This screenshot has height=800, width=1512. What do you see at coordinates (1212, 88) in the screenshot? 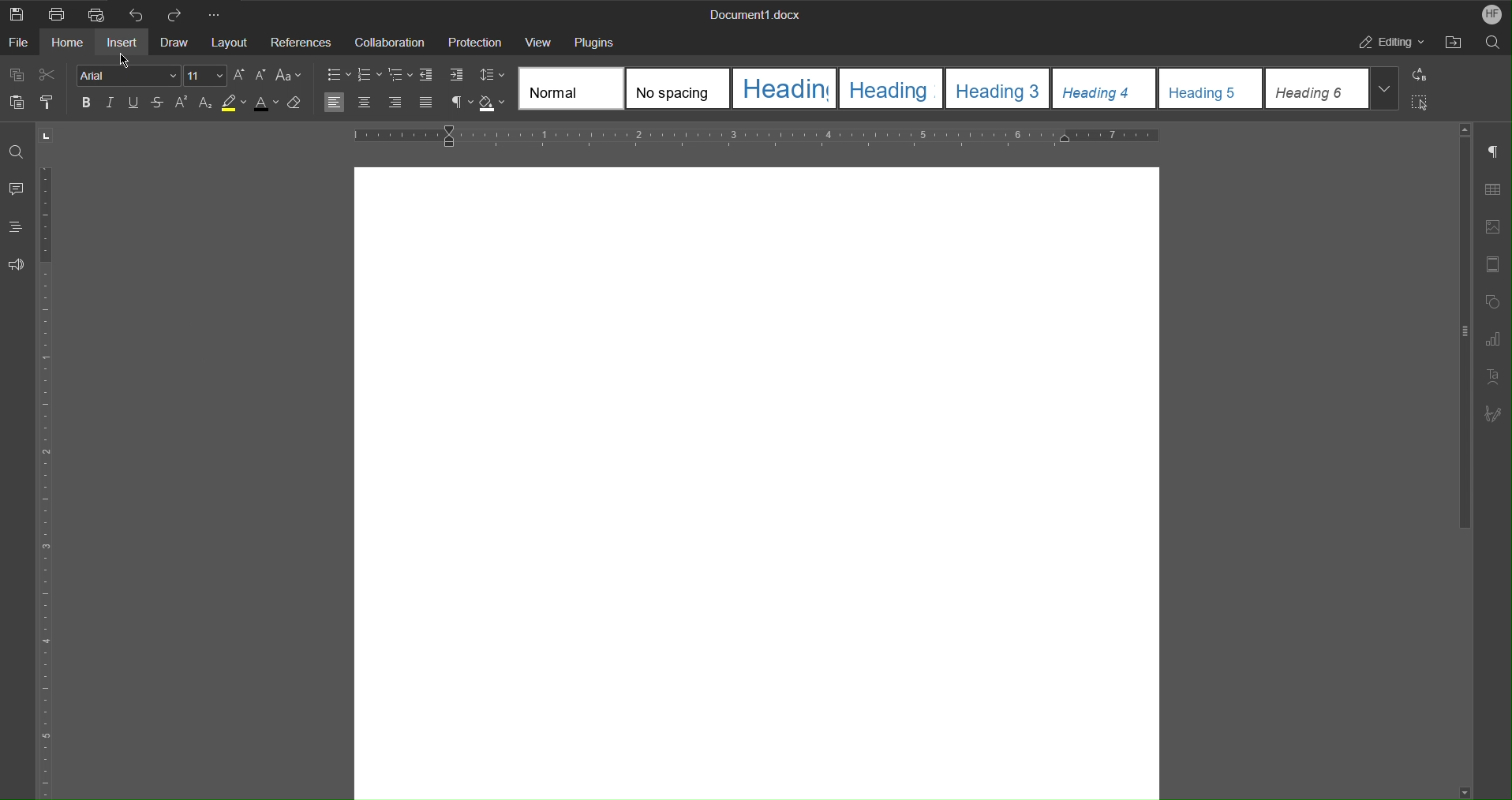
I see `Heading 5` at bounding box center [1212, 88].